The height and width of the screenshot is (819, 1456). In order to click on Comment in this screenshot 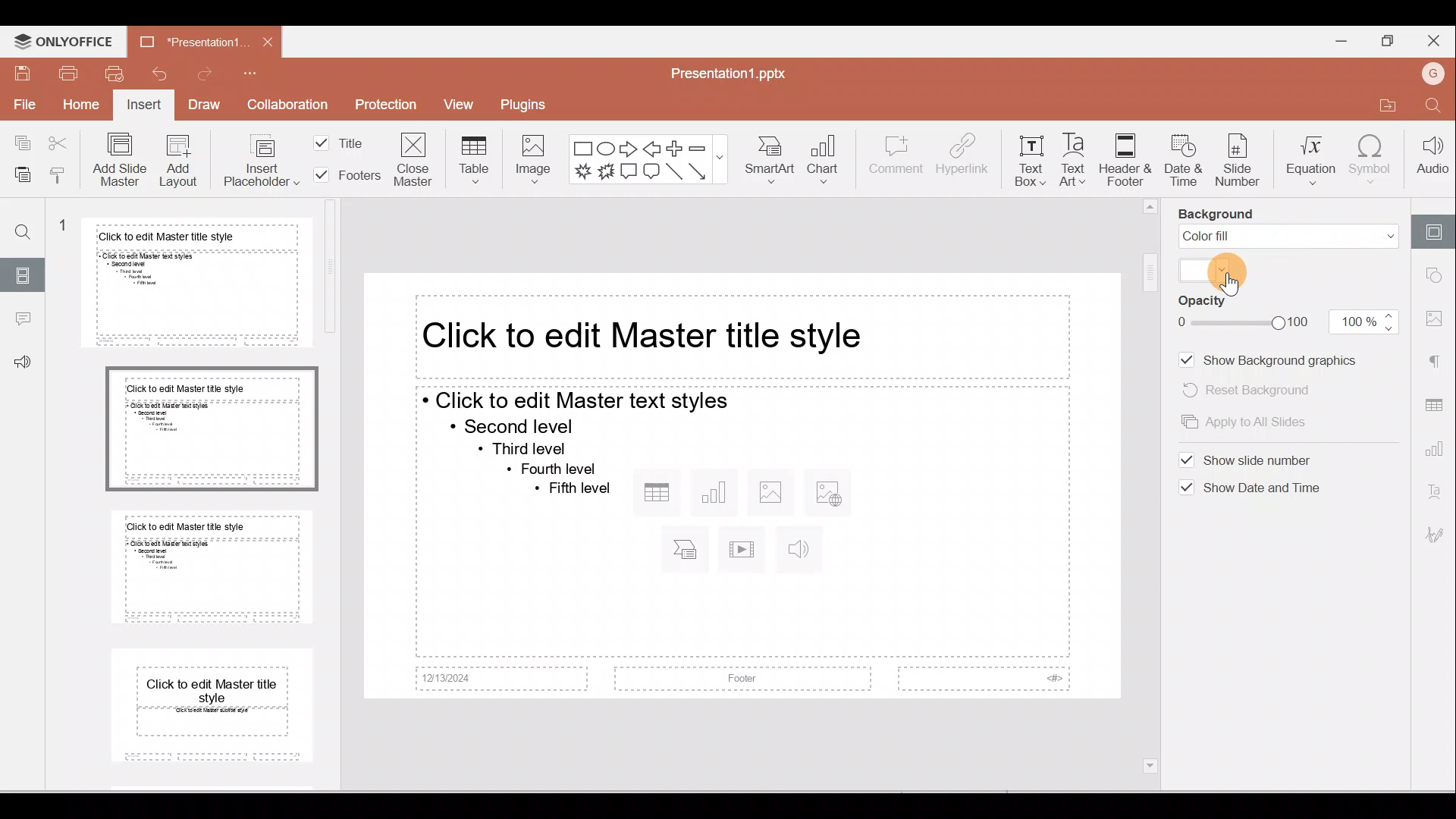, I will do `click(23, 318)`.